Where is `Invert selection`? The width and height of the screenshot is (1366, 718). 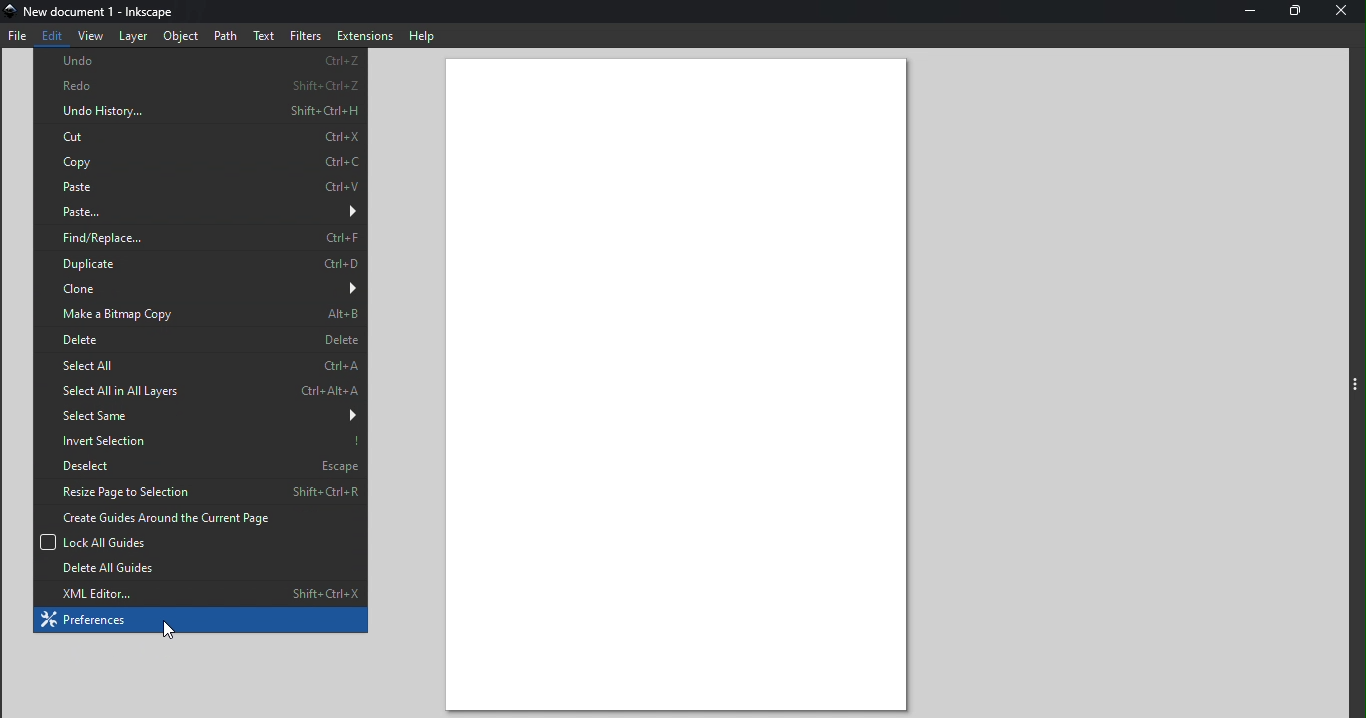 Invert selection is located at coordinates (200, 439).